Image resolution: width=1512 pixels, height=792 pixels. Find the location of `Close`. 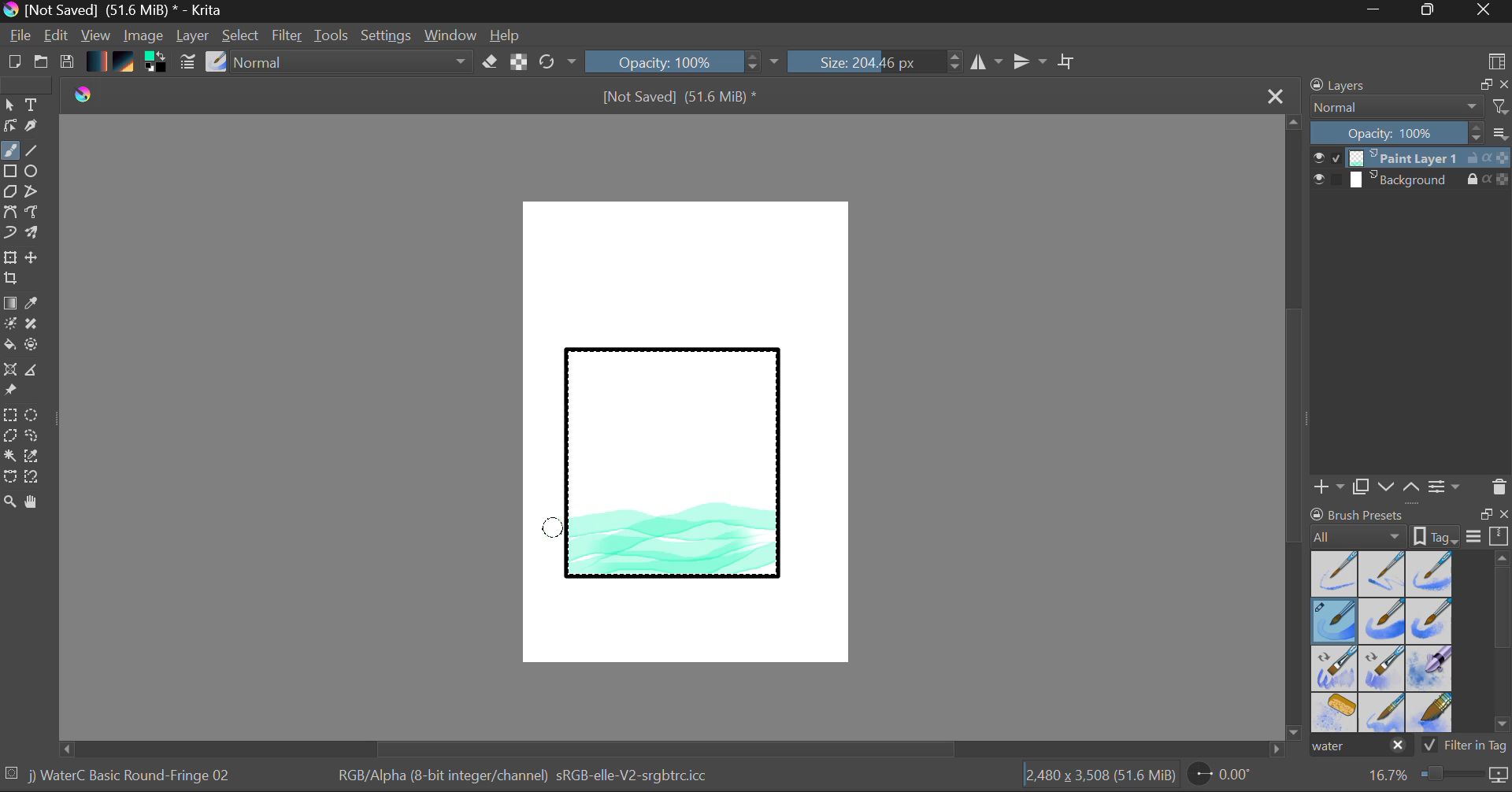

Close is located at coordinates (1485, 11).